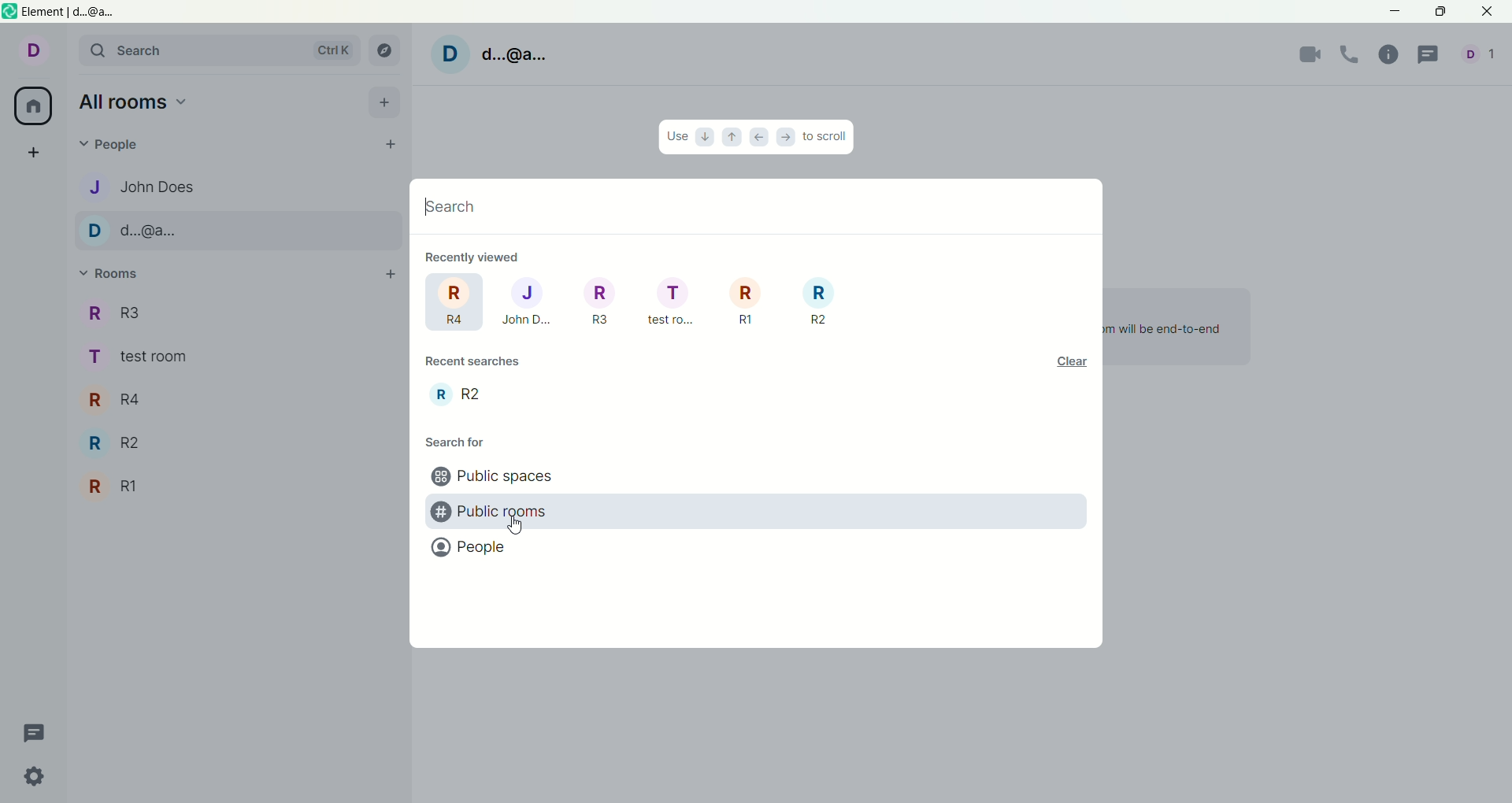  I want to click on maximize, so click(1443, 13).